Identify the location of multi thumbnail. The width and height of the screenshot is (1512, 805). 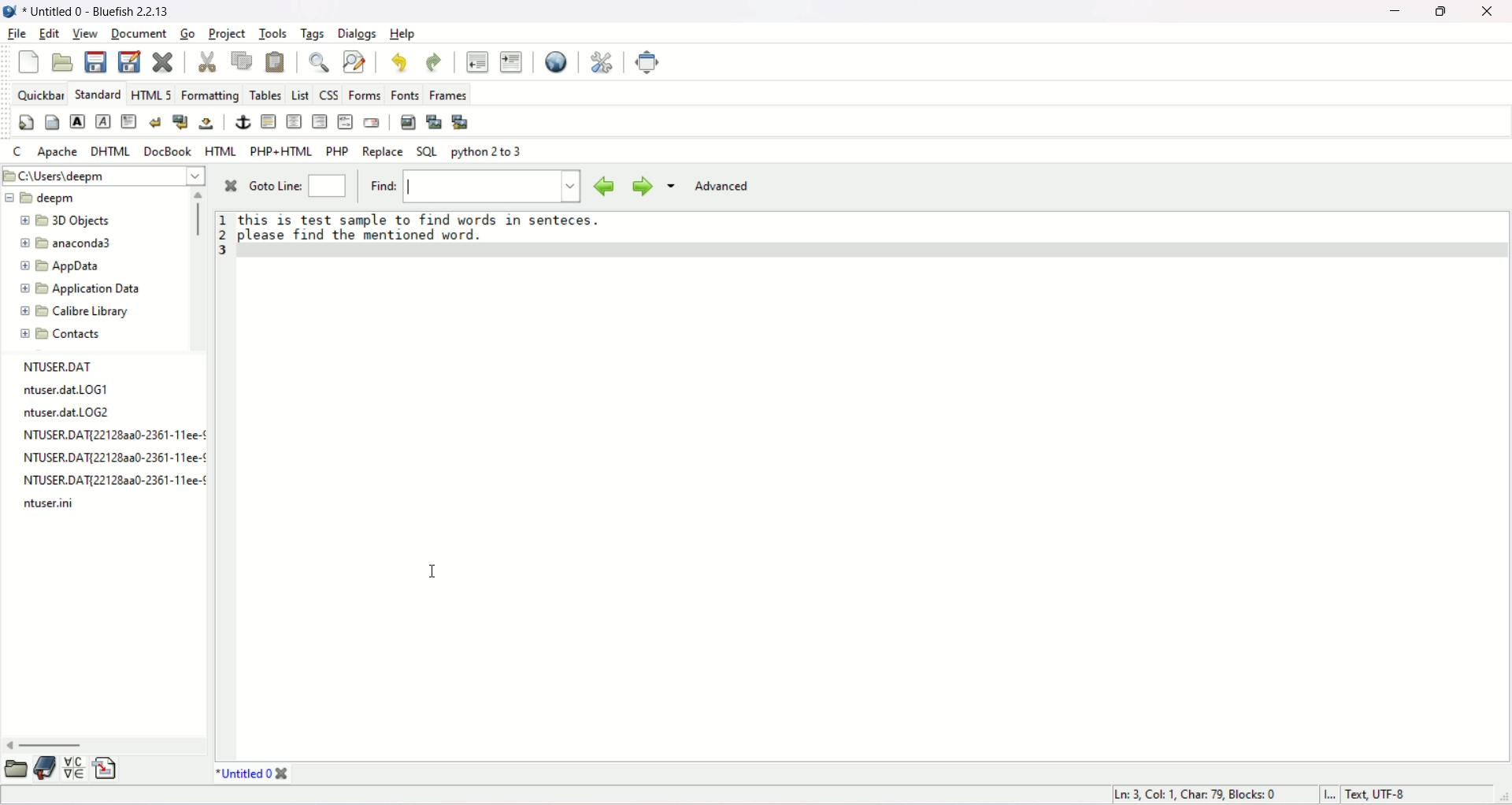
(460, 121).